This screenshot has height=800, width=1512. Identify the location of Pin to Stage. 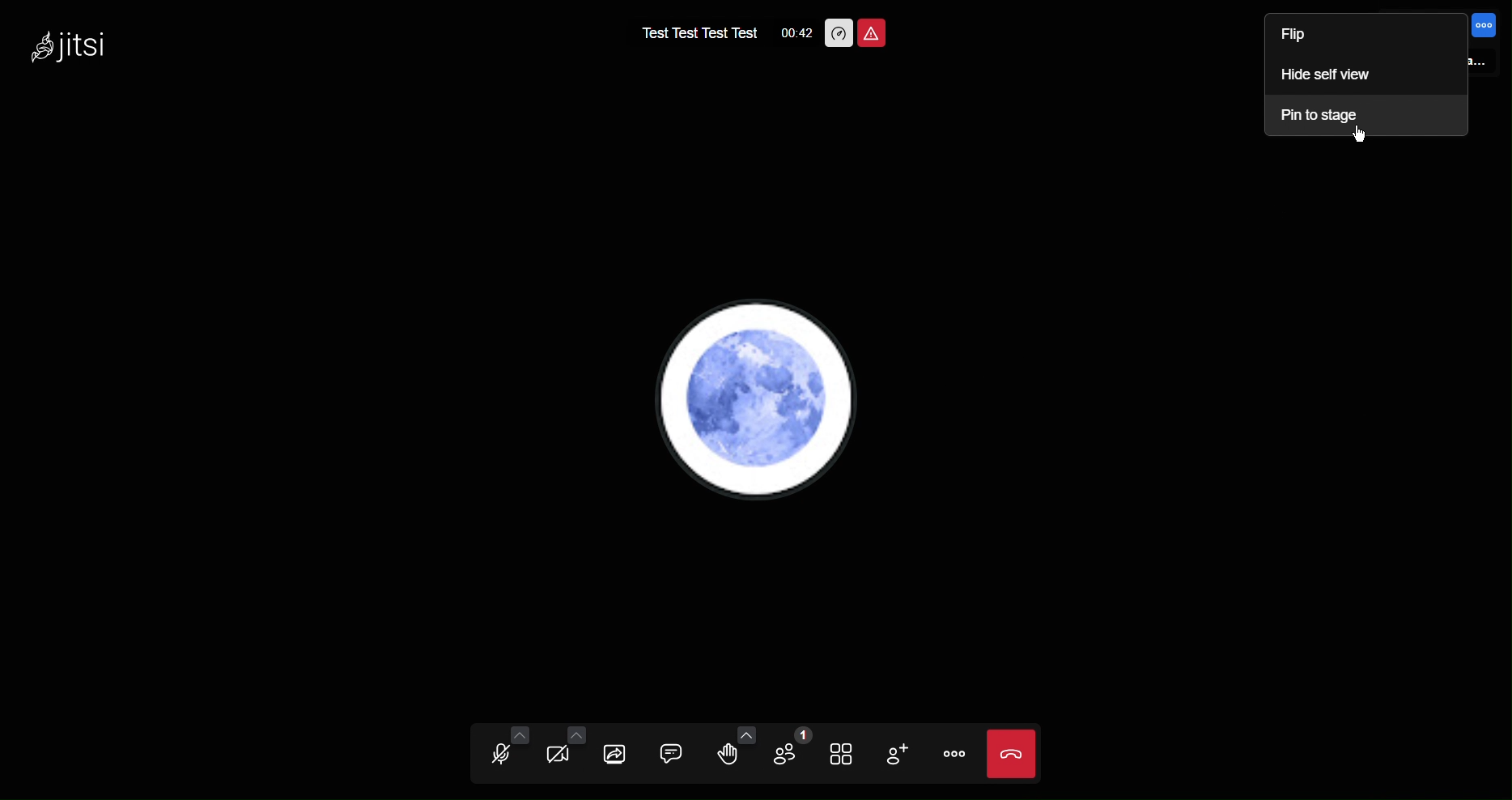
(1327, 116).